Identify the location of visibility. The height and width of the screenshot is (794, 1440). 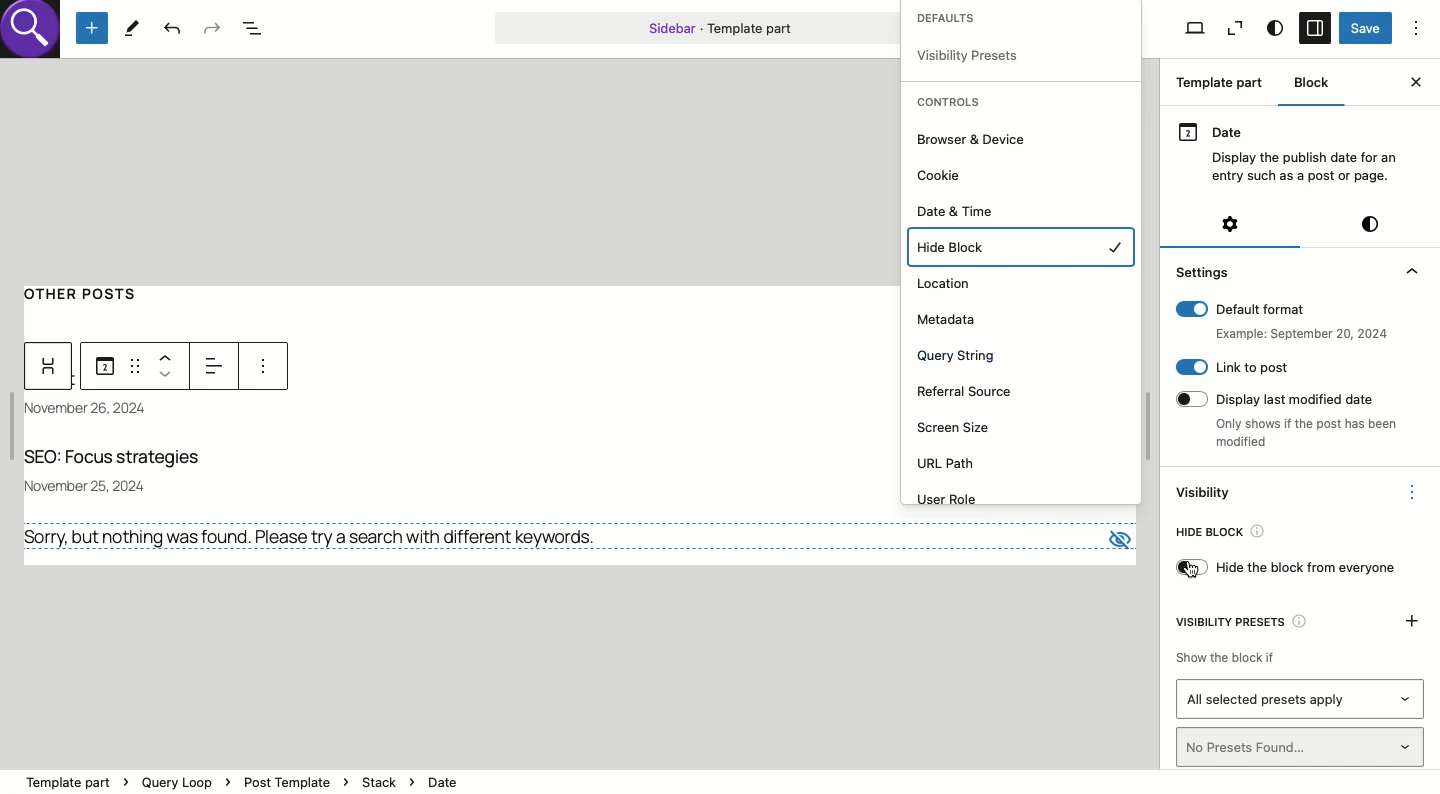
(970, 55).